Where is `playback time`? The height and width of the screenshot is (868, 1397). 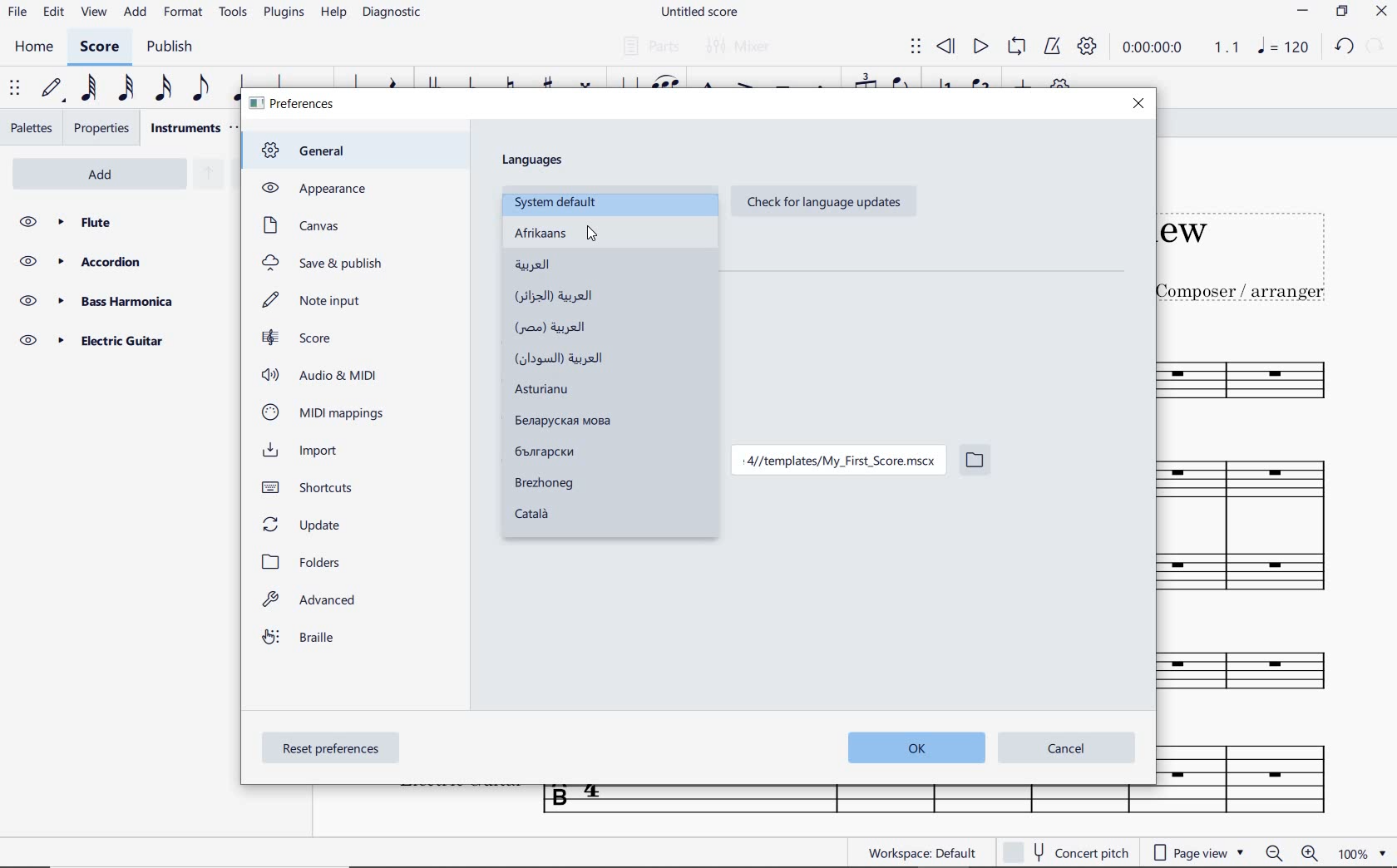 playback time is located at coordinates (1156, 50).